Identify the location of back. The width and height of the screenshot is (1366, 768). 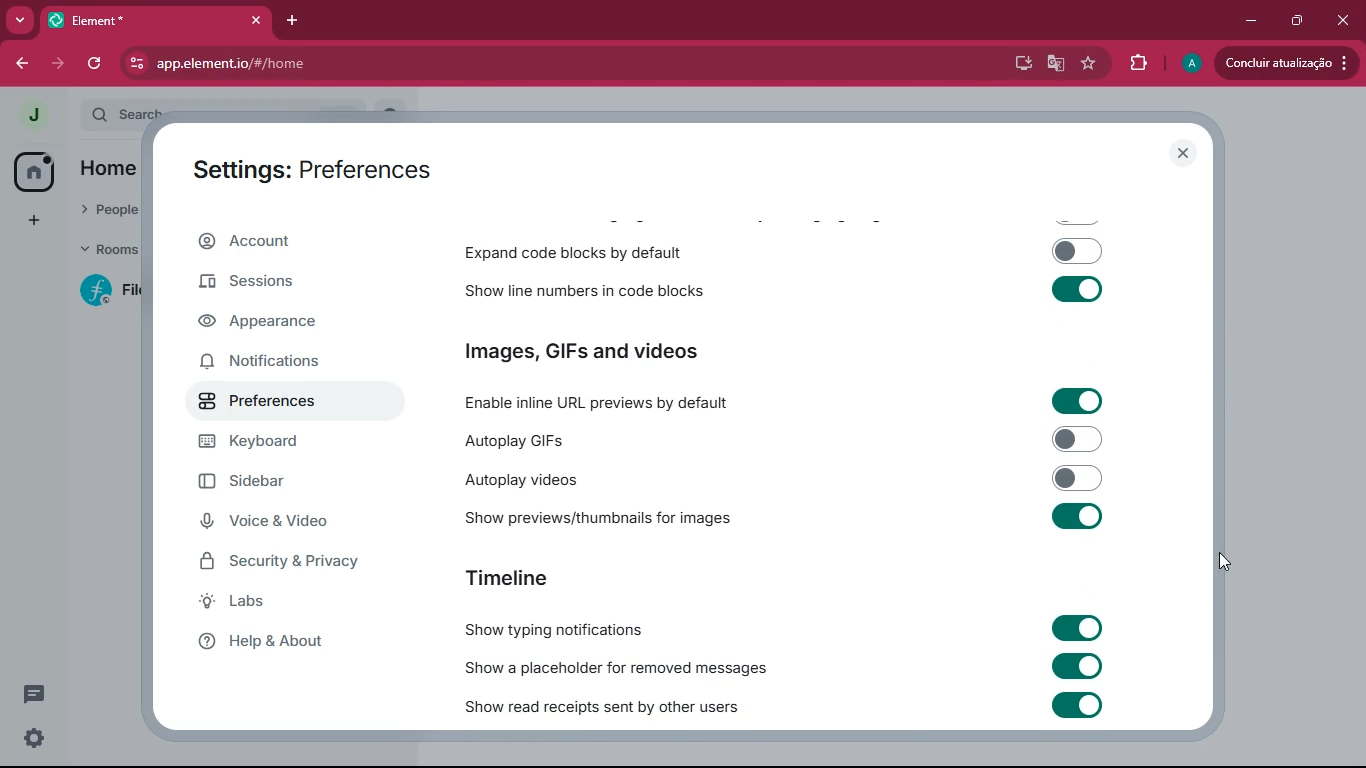
(19, 66).